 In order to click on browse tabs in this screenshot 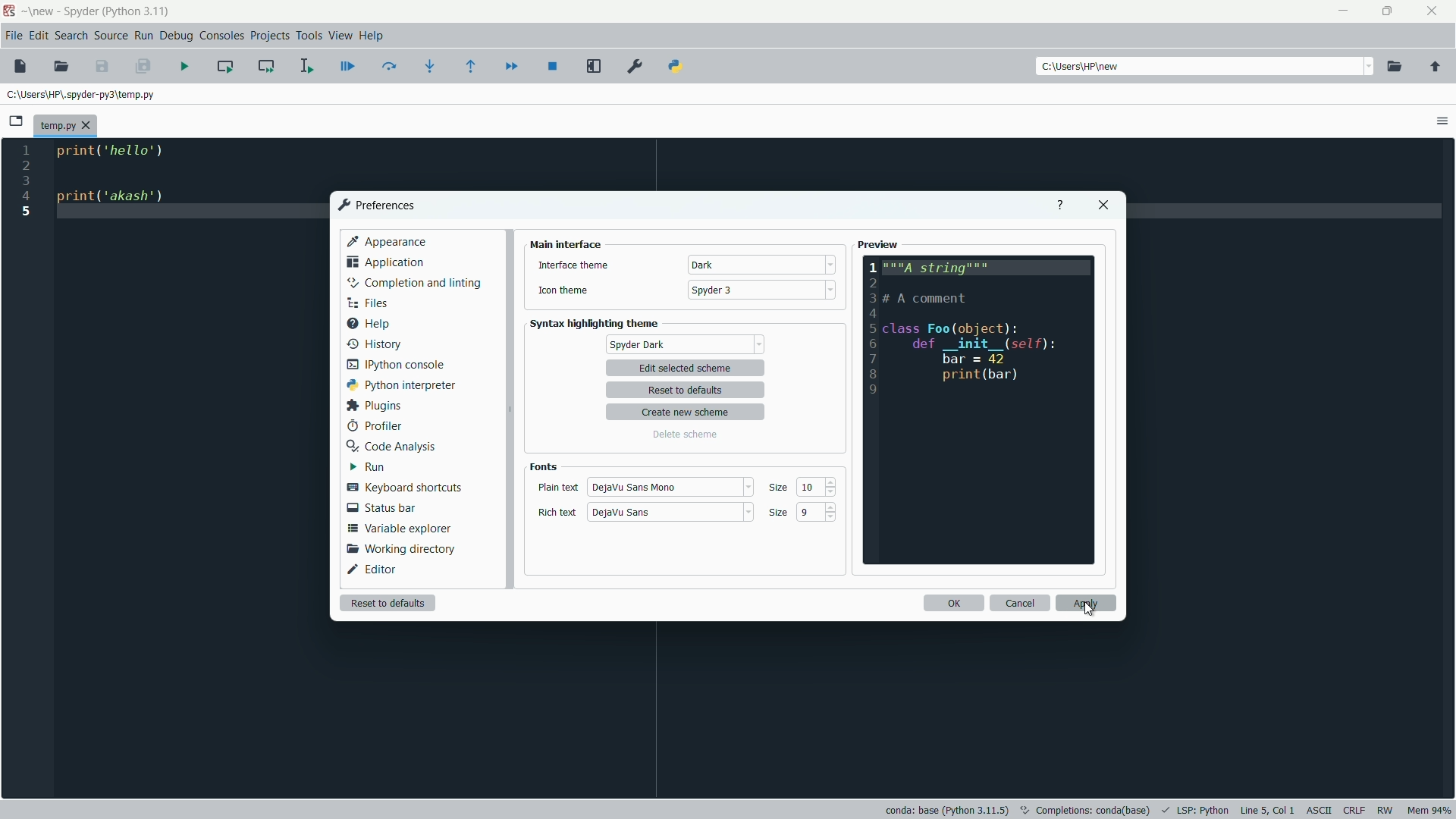, I will do `click(17, 121)`.